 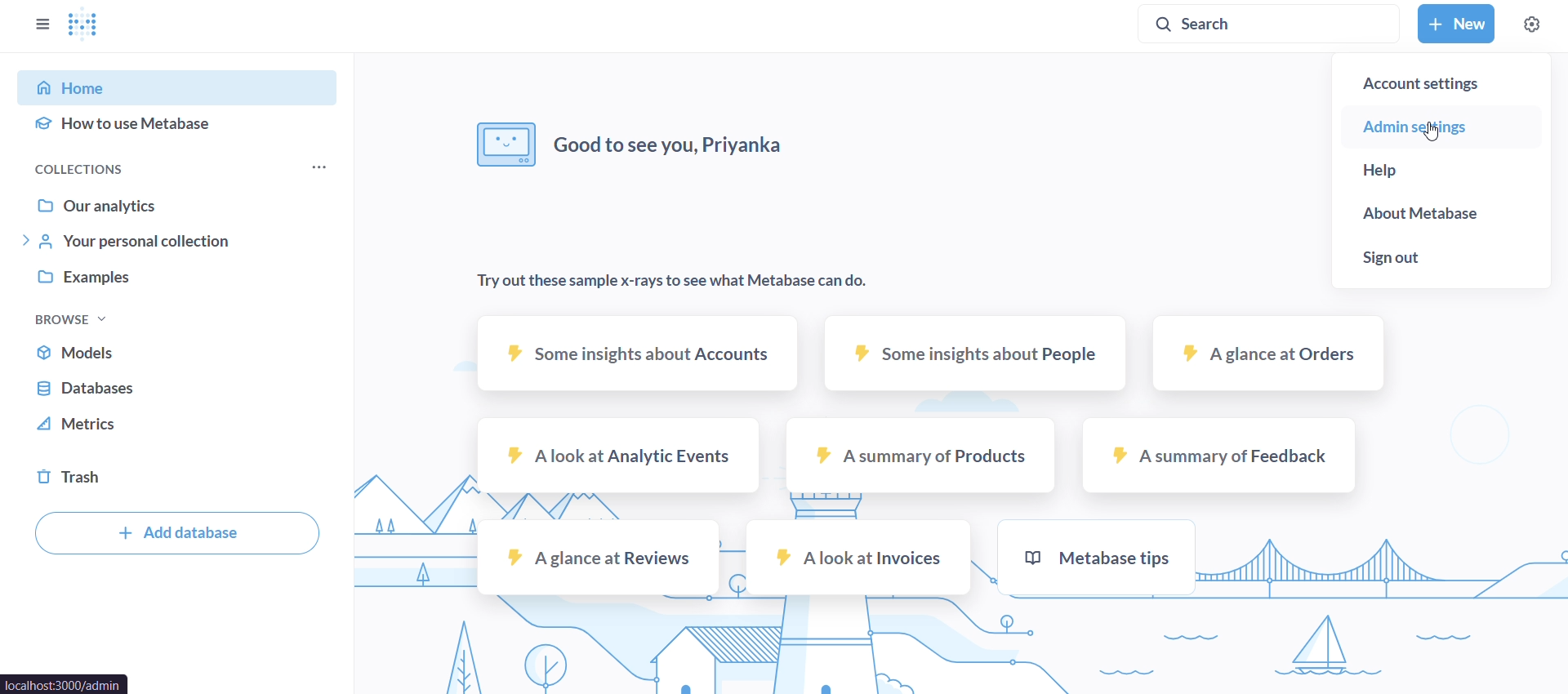 What do you see at coordinates (176, 475) in the screenshot?
I see `trash` at bounding box center [176, 475].